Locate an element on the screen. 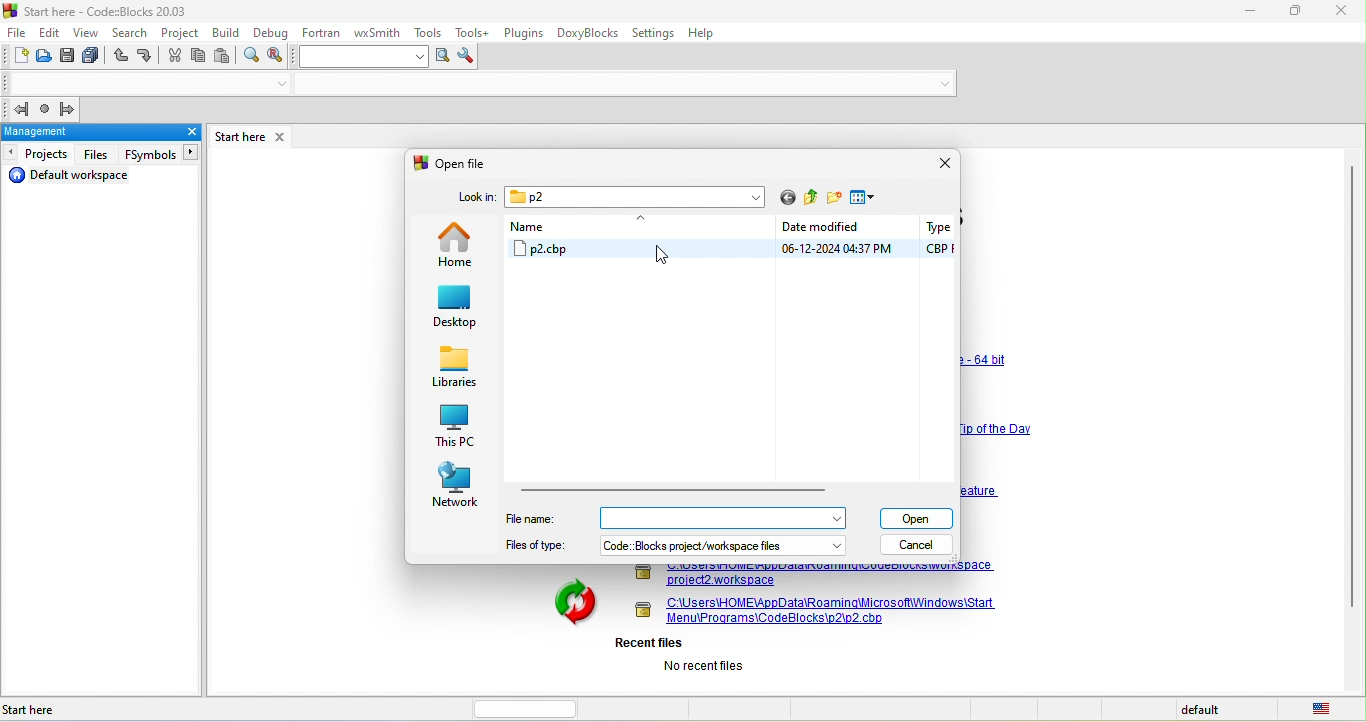  file is located at coordinates (18, 32).